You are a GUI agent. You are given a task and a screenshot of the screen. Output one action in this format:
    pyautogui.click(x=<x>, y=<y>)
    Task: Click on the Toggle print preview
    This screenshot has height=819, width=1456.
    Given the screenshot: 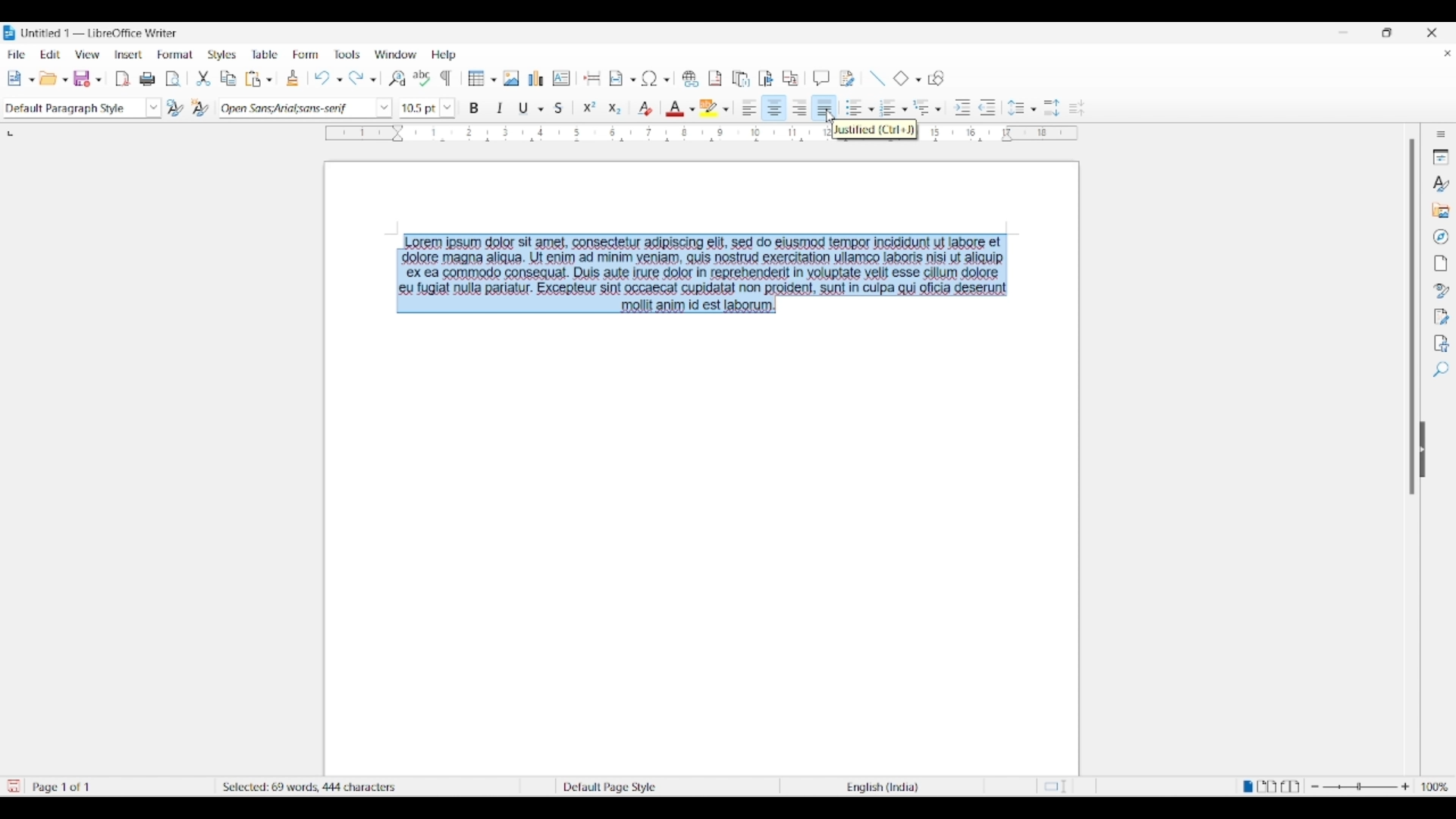 What is the action you would take?
    pyautogui.click(x=174, y=79)
    